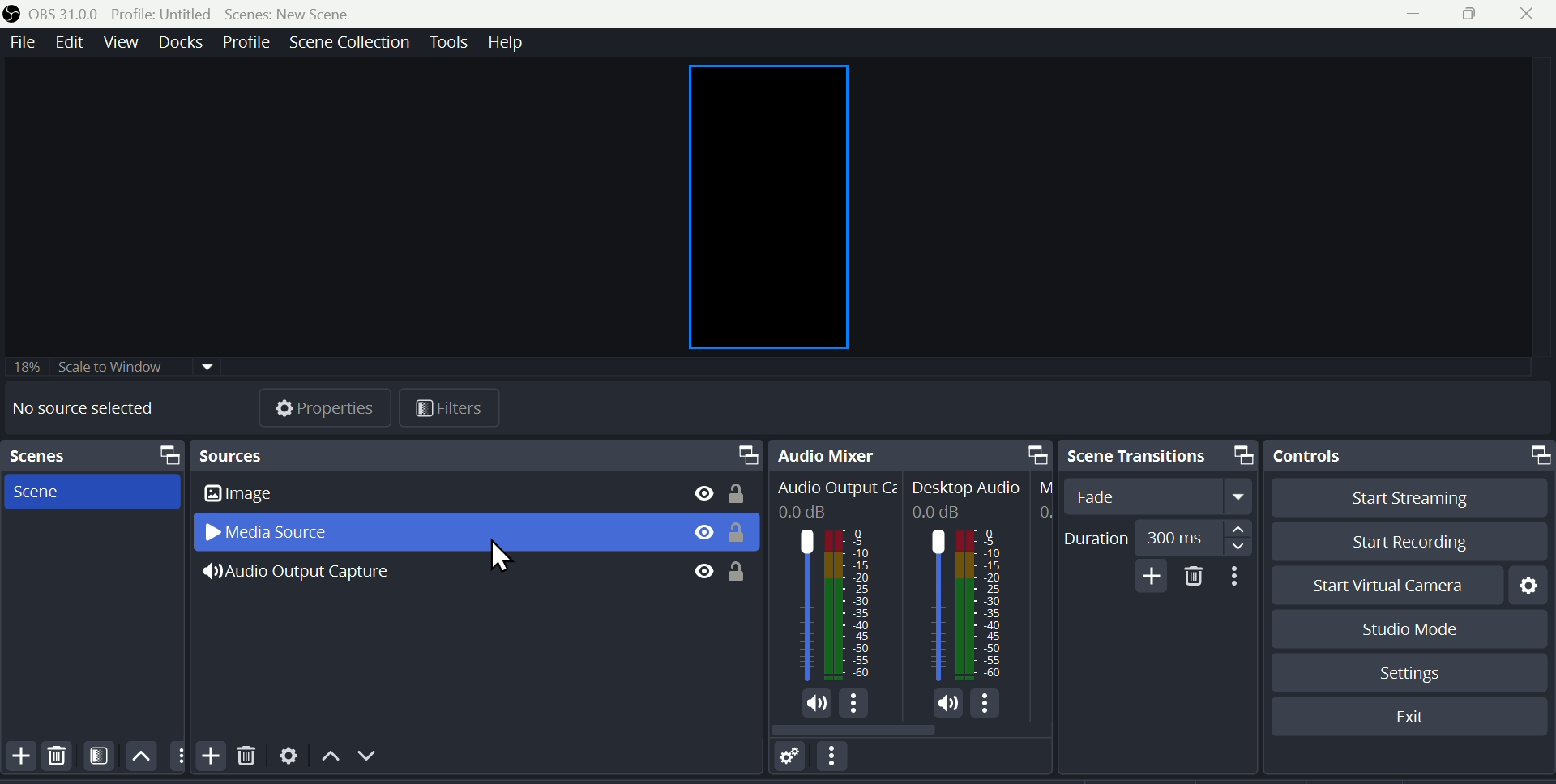 This screenshot has width=1556, height=784. Describe the element at coordinates (948, 704) in the screenshot. I see `Sound` at that location.